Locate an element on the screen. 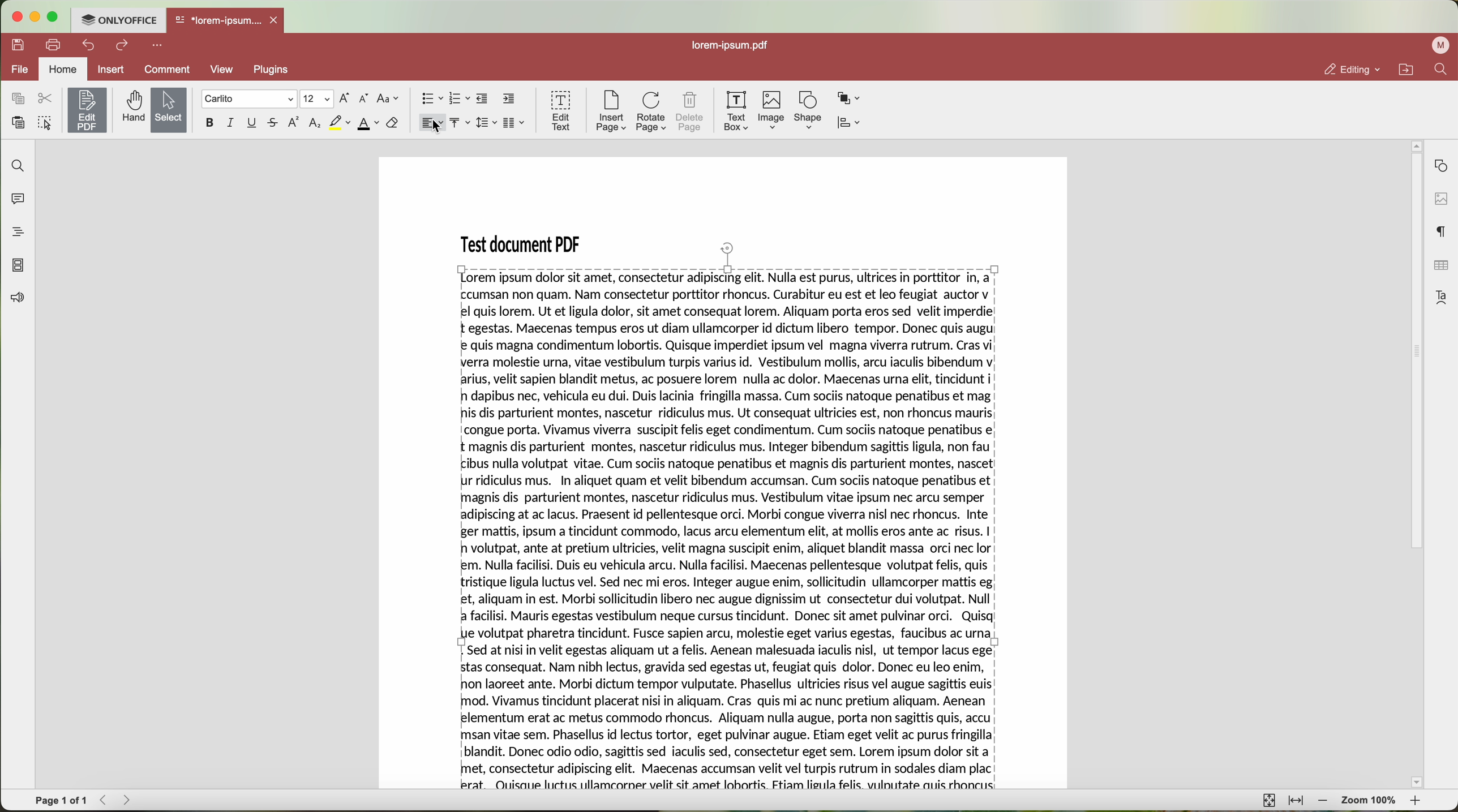  user profile is located at coordinates (1440, 47).